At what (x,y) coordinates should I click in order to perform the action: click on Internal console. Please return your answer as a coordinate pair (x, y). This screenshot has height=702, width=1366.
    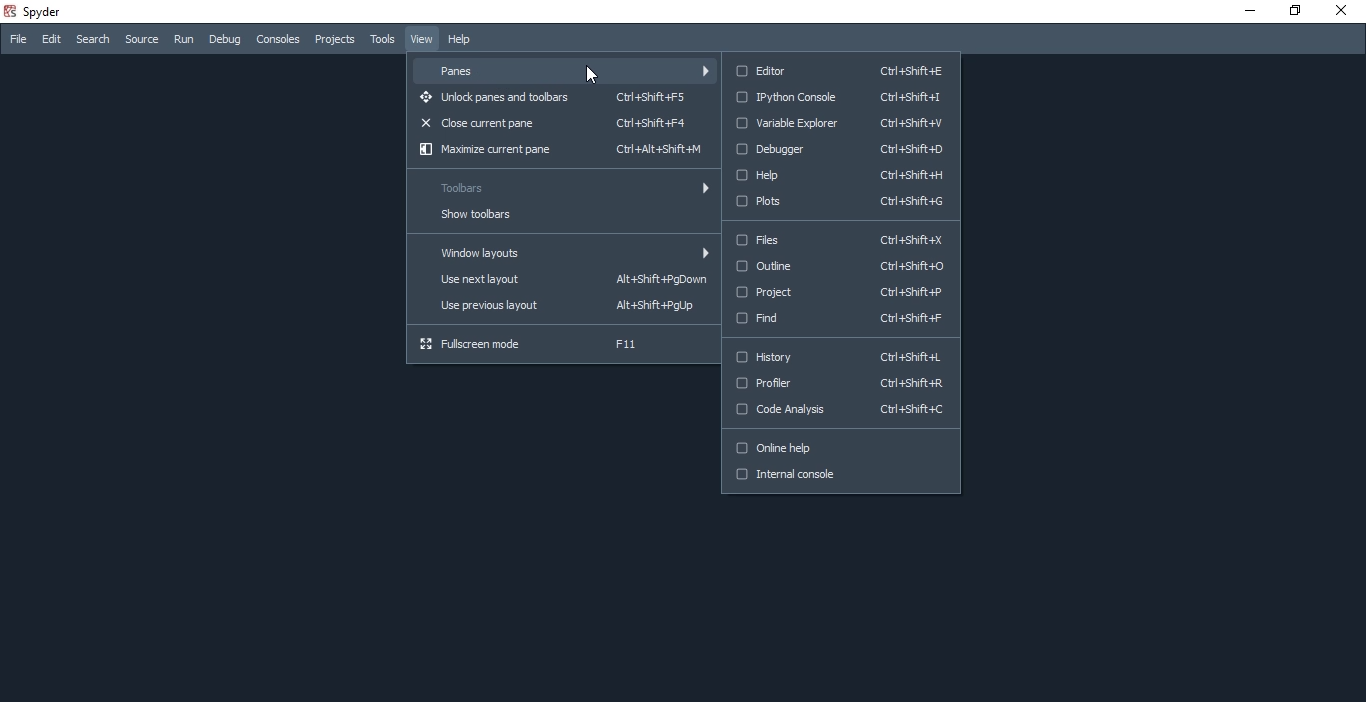
    Looking at the image, I should click on (841, 477).